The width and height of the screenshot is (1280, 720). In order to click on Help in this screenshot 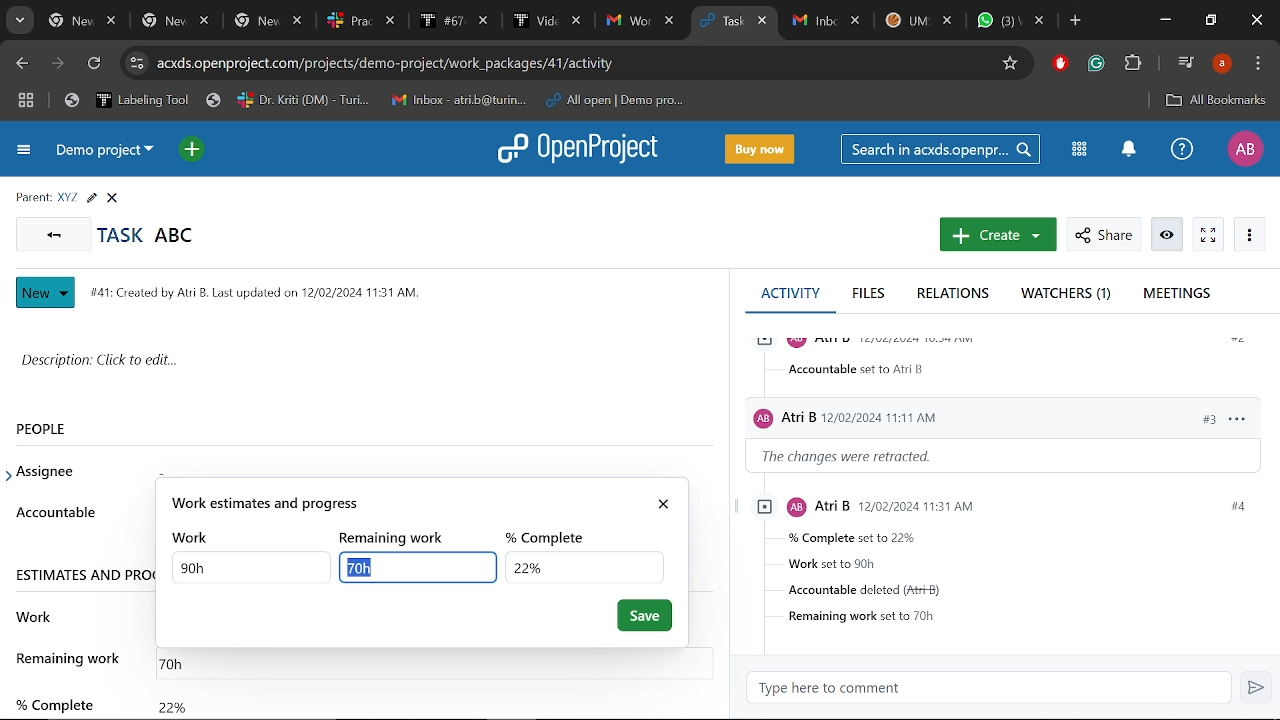, I will do `click(1182, 151)`.